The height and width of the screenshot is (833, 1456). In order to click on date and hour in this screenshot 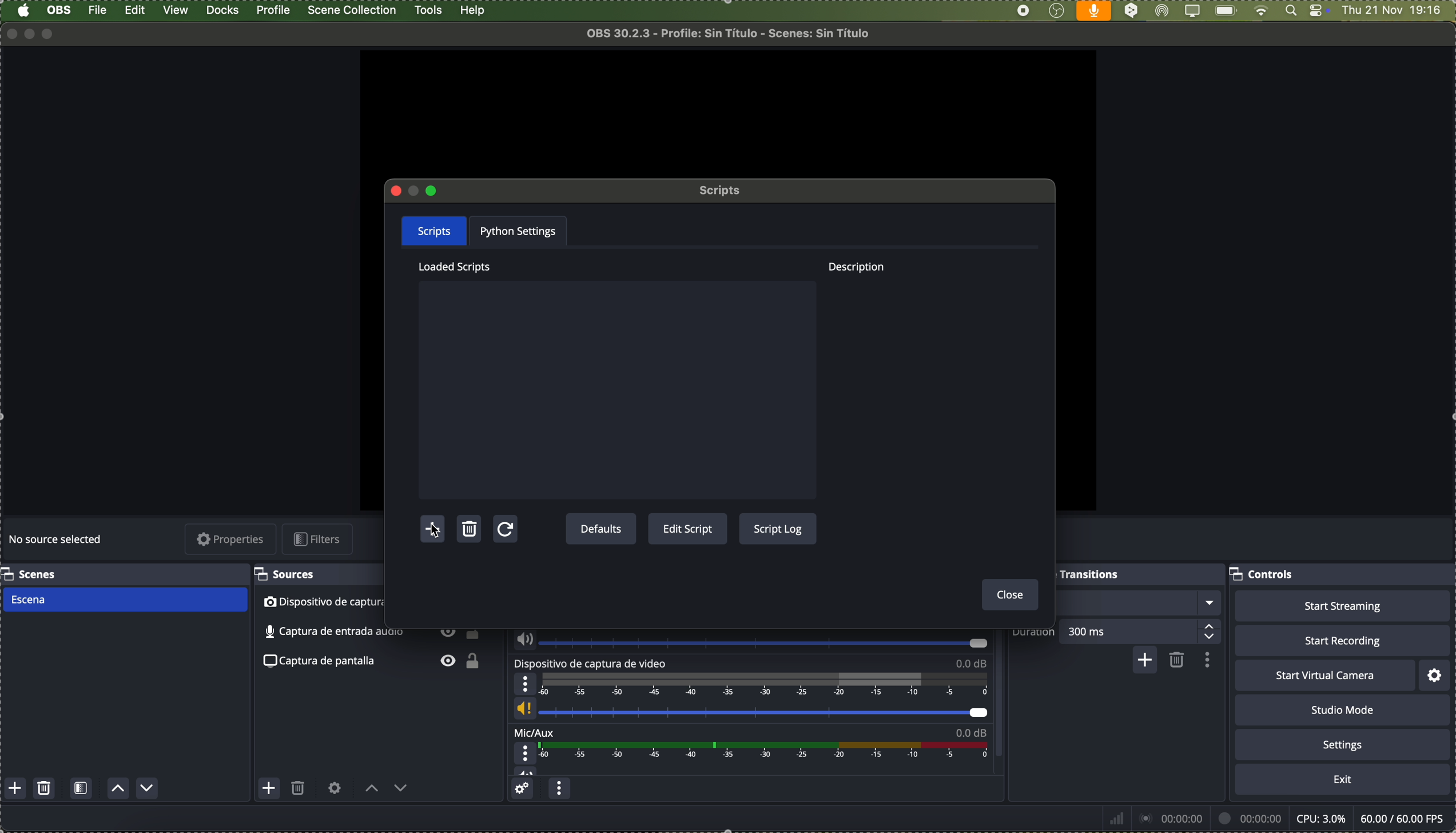, I will do `click(1398, 11)`.